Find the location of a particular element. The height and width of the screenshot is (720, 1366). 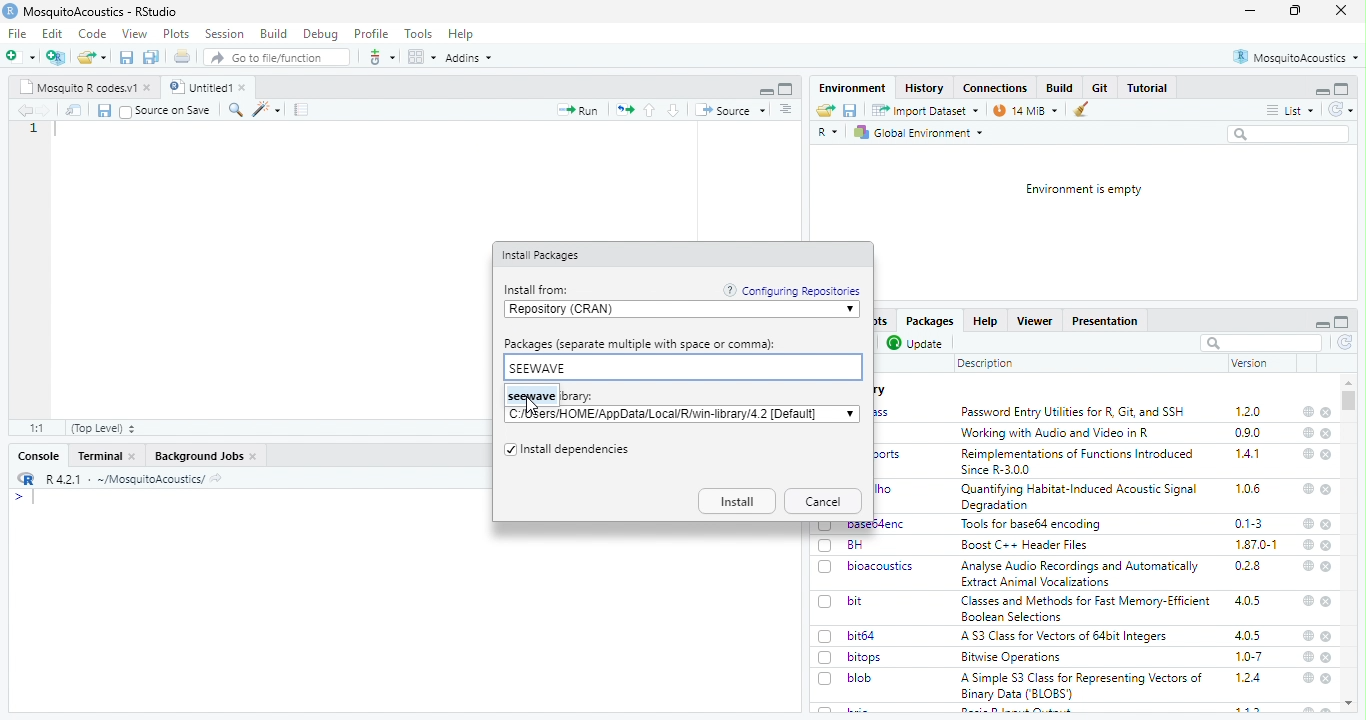

web is located at coordinates (1309, 636).